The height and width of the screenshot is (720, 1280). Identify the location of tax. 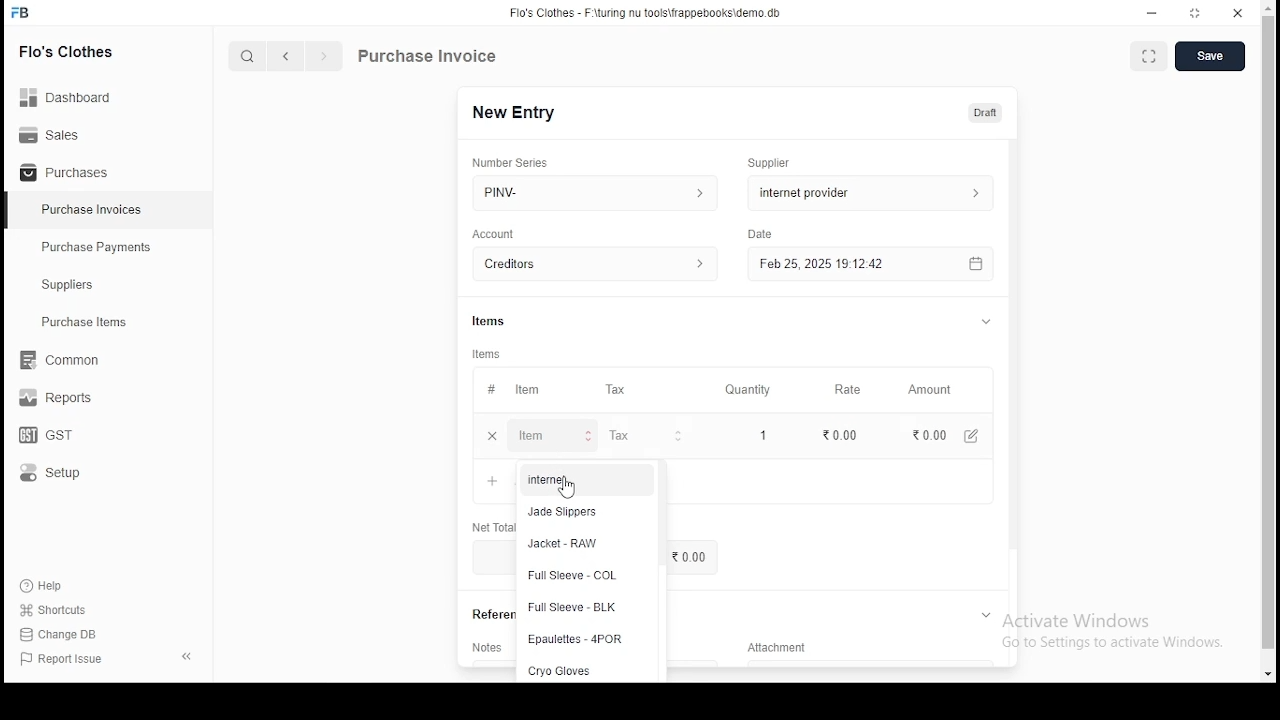
(623, 390).